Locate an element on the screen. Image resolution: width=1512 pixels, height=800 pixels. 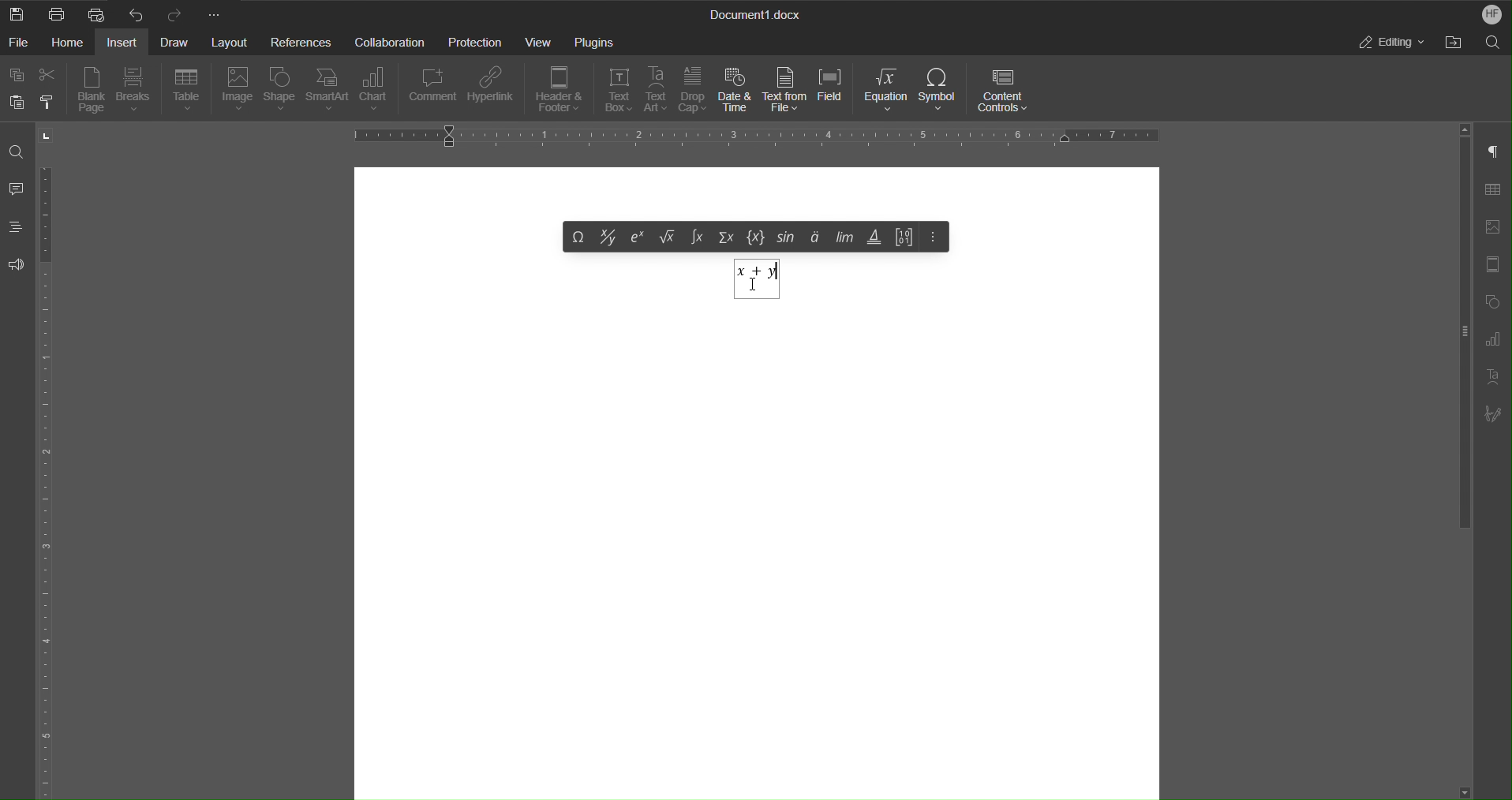
Image is located at coordinates (234, 91).